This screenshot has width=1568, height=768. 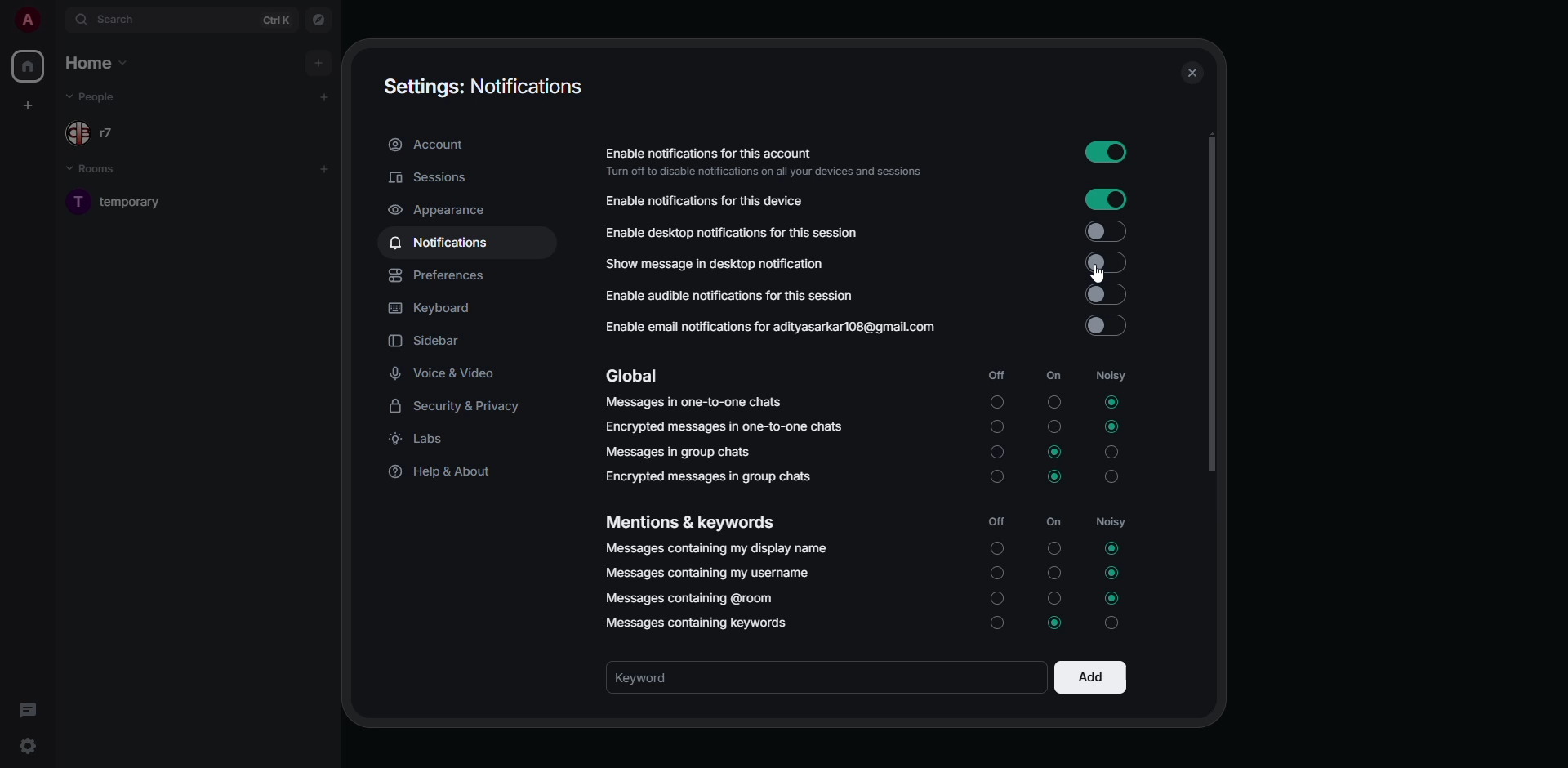 I want to click on keyboard, so click(x=439, y=308).